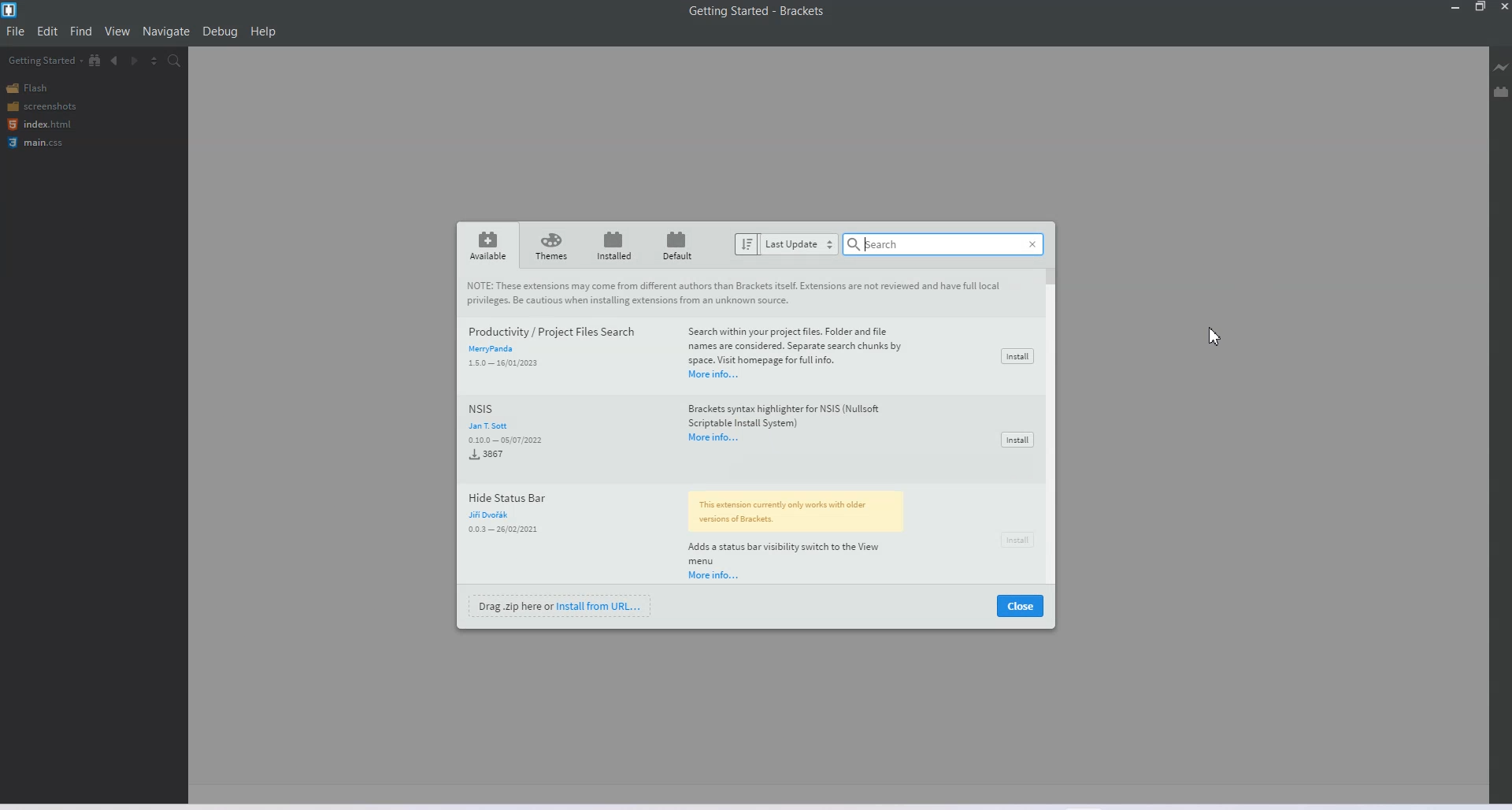 The image size is (1512, 810). Describe the element at coordinates (509, 500) in the screenshot. I see `hide status bar` at that location.